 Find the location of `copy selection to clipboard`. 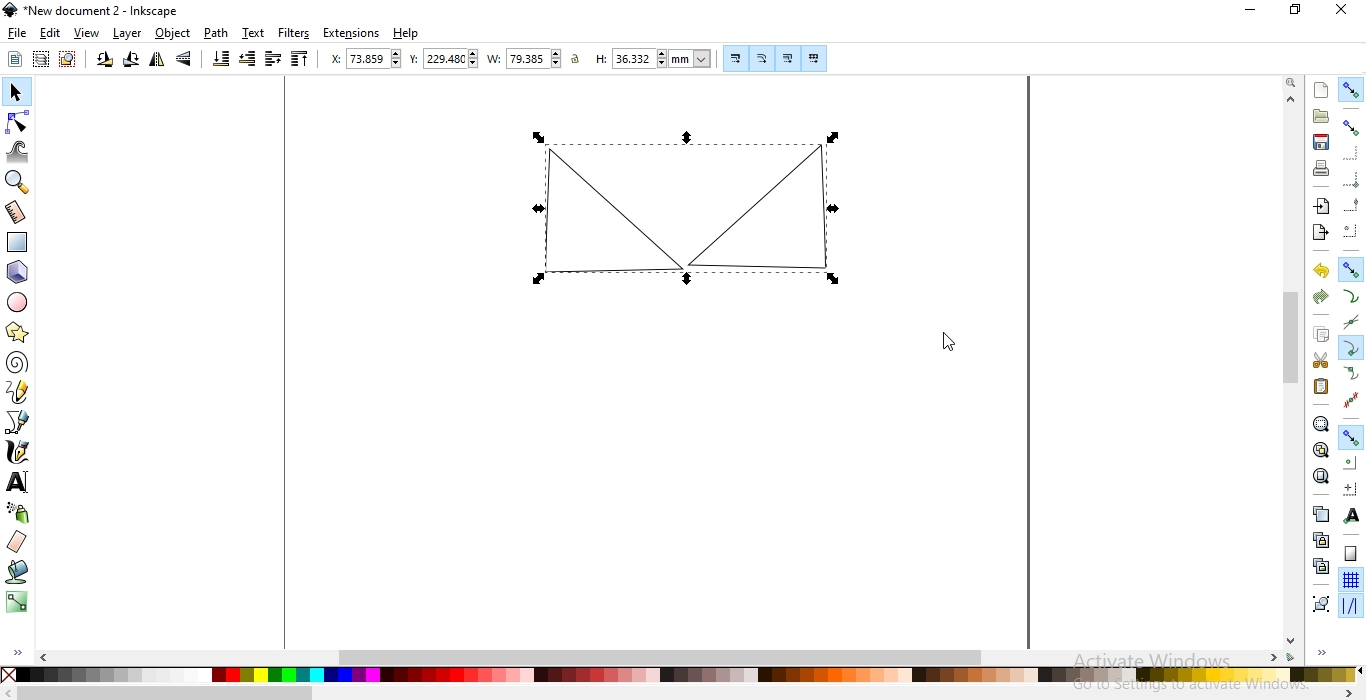

copy selection to clipboard is located at coordinates (1323, 336).